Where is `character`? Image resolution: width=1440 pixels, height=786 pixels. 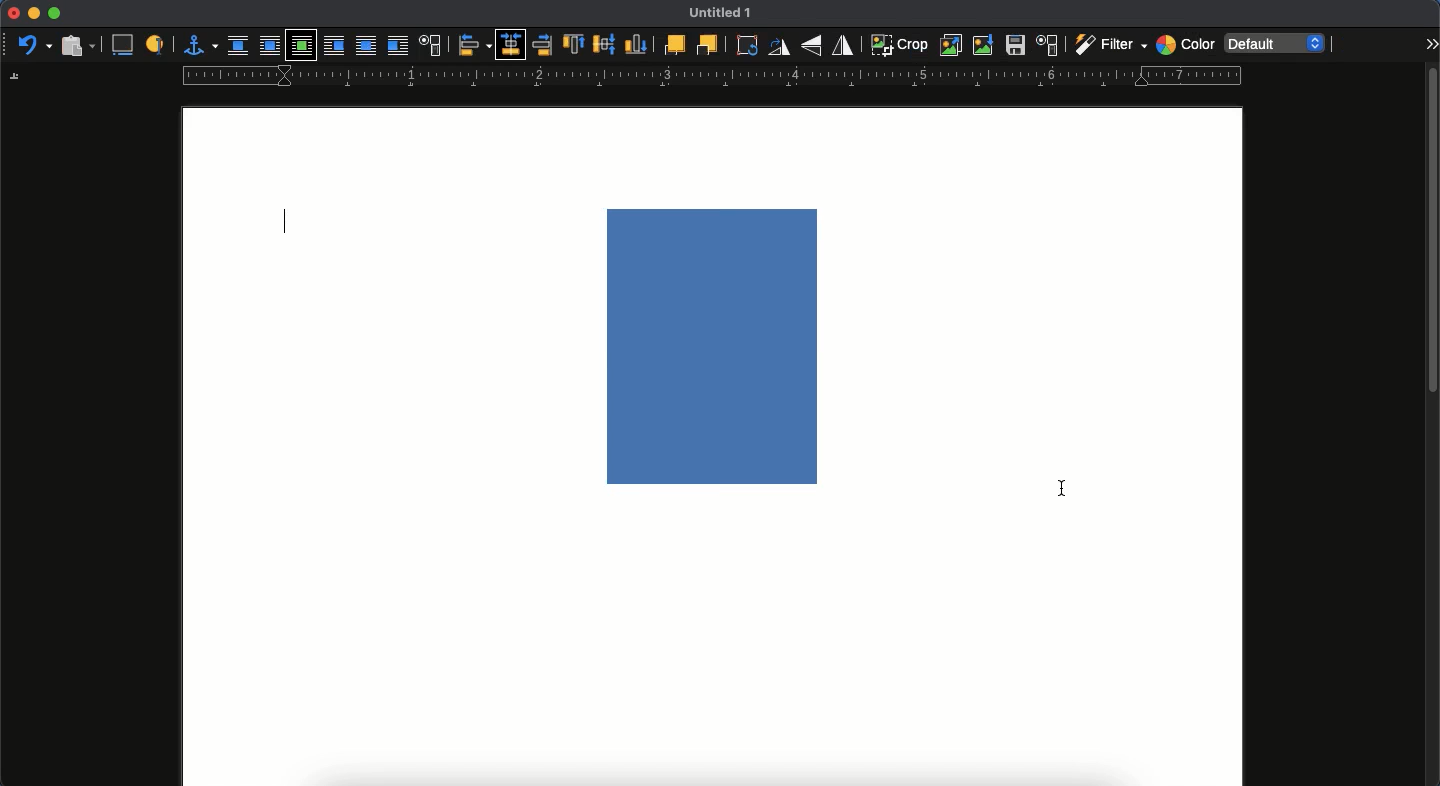 character is located at coordinates (1046, 44).